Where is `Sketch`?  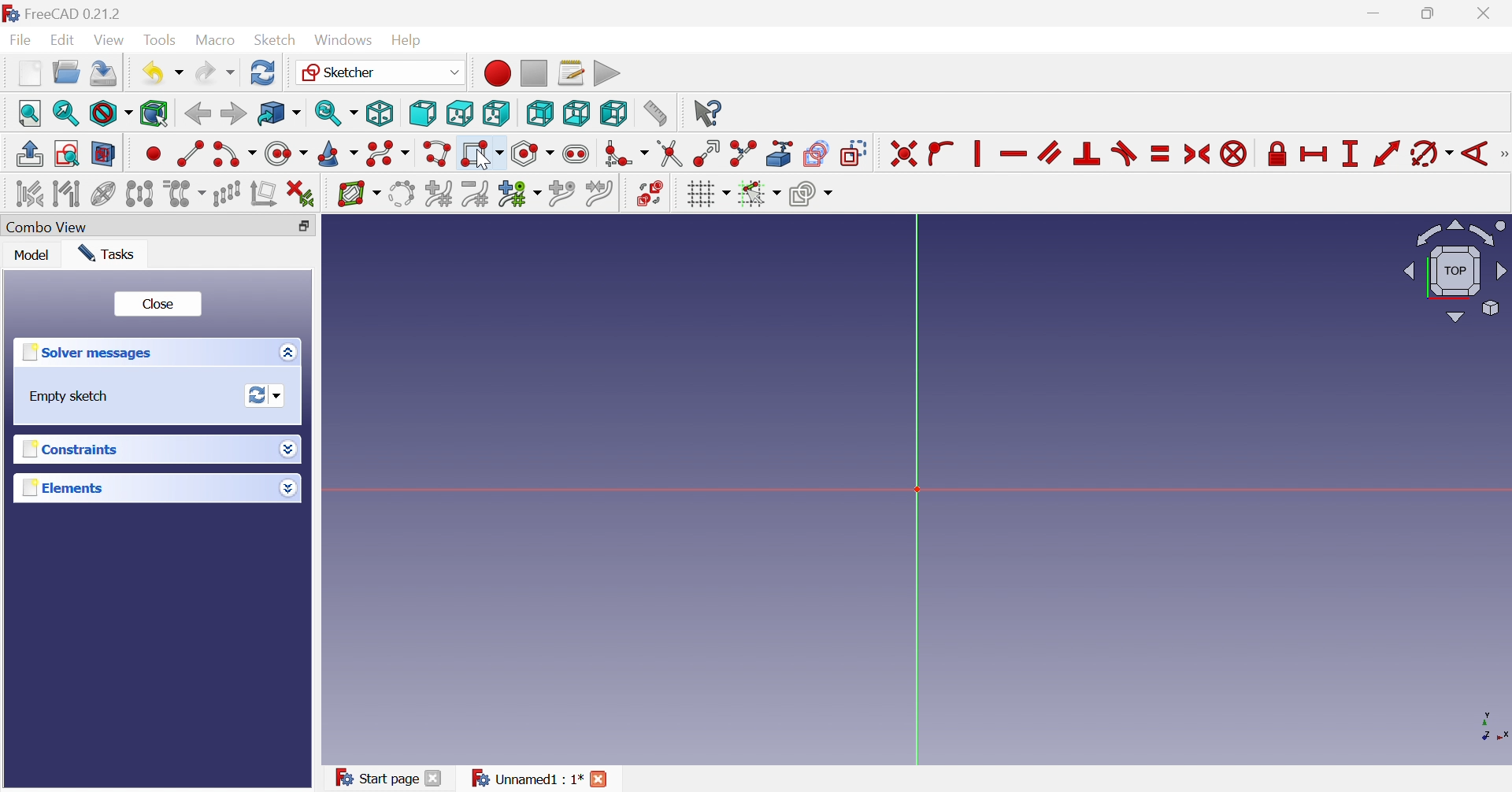 Sketch is located at coordinates (275, 40).